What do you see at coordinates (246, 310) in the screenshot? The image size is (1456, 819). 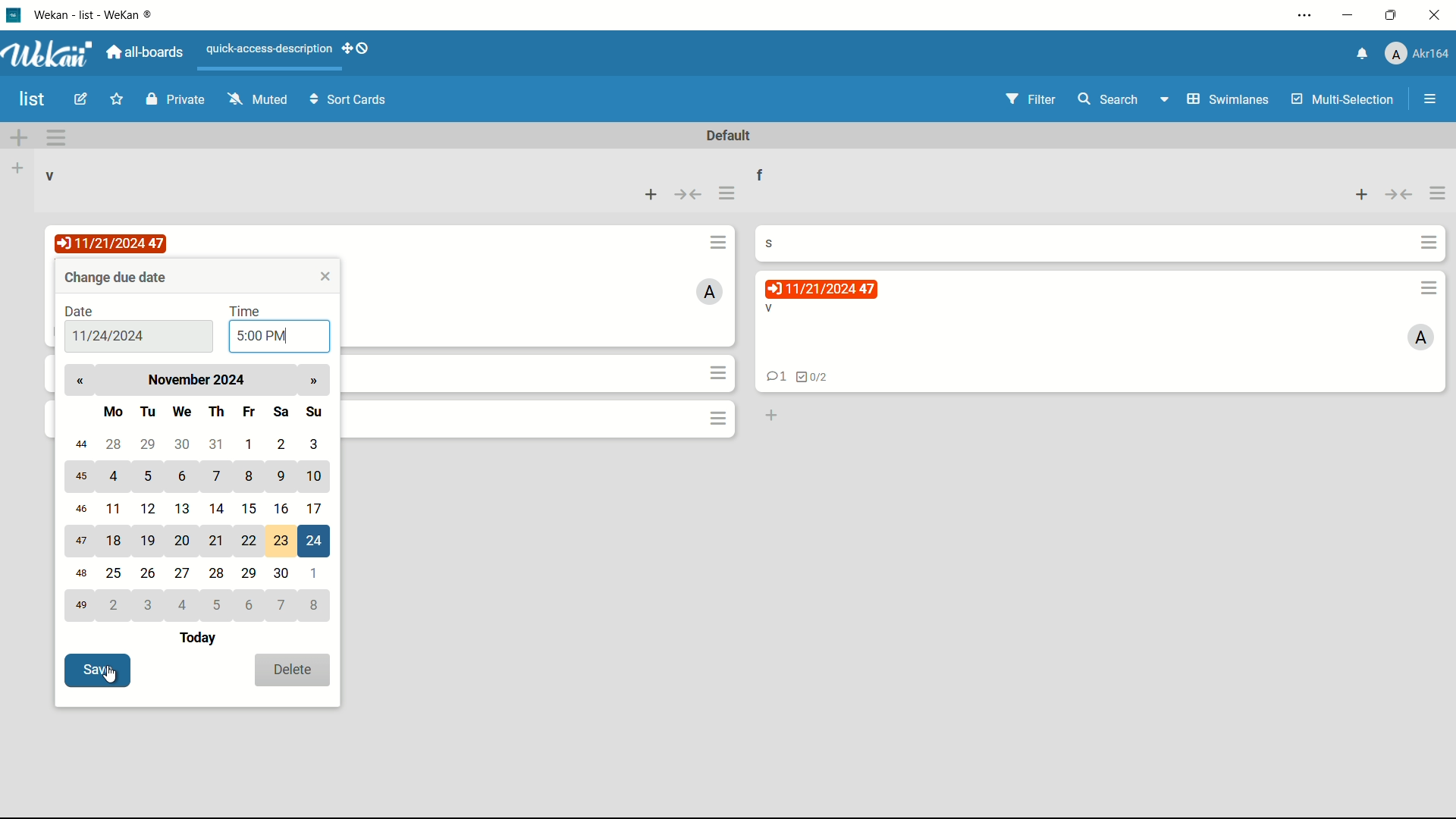 I see `time` at bounding box center [246, 310].